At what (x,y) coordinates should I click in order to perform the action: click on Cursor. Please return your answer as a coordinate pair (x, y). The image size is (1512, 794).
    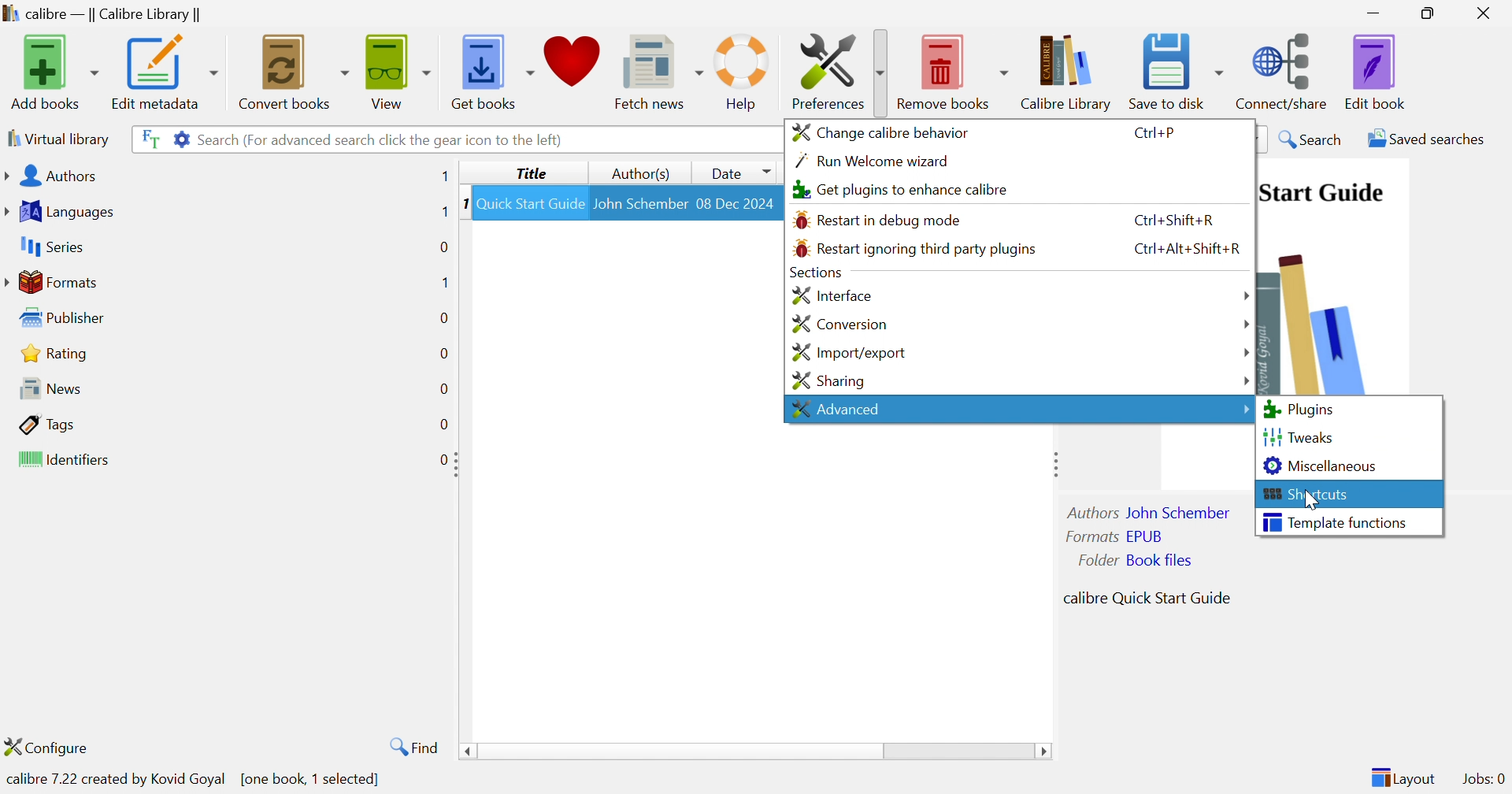
    Looking at the image, I should click on (1316, 499).